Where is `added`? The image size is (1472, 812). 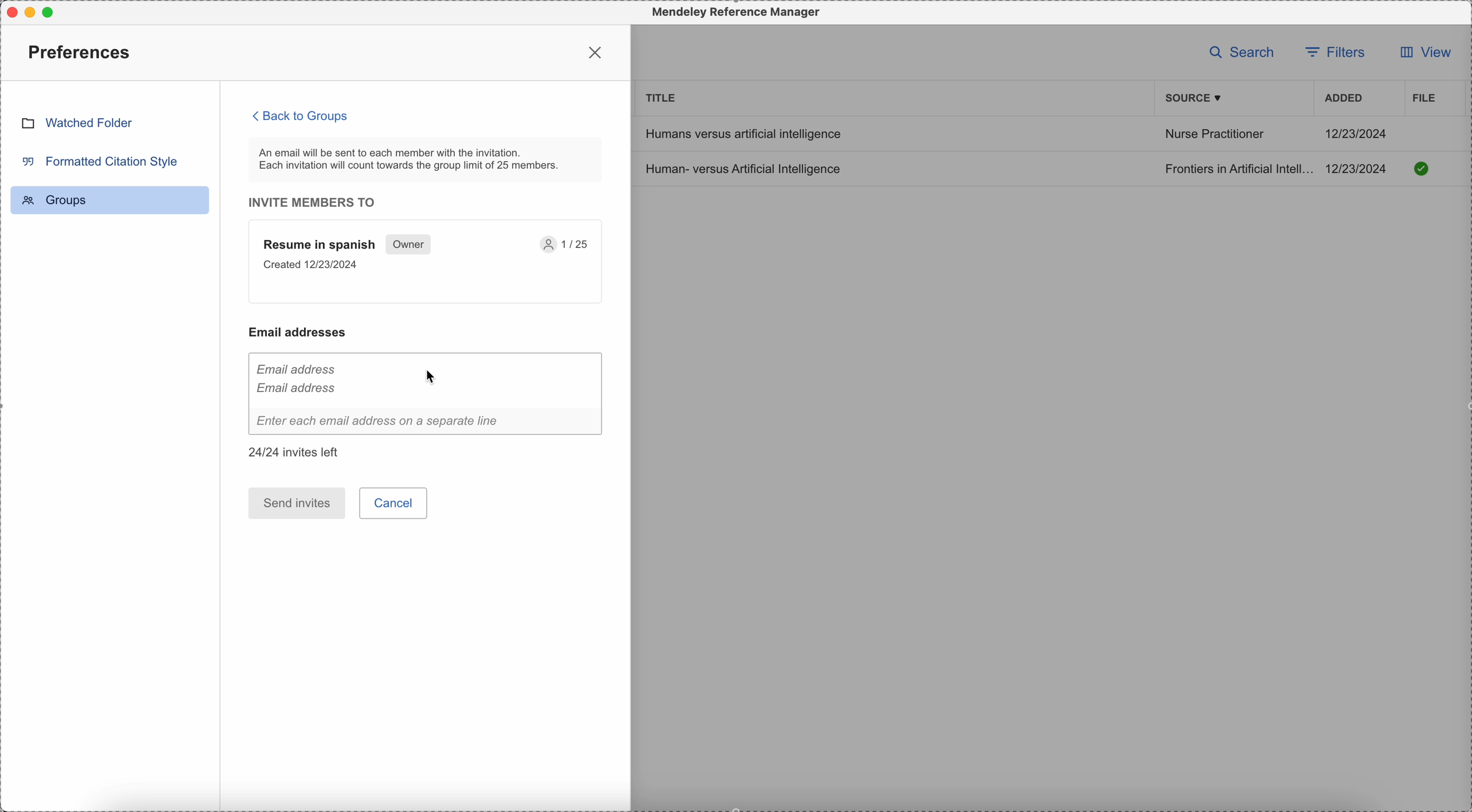 added is located at coordinates (1344, 99).